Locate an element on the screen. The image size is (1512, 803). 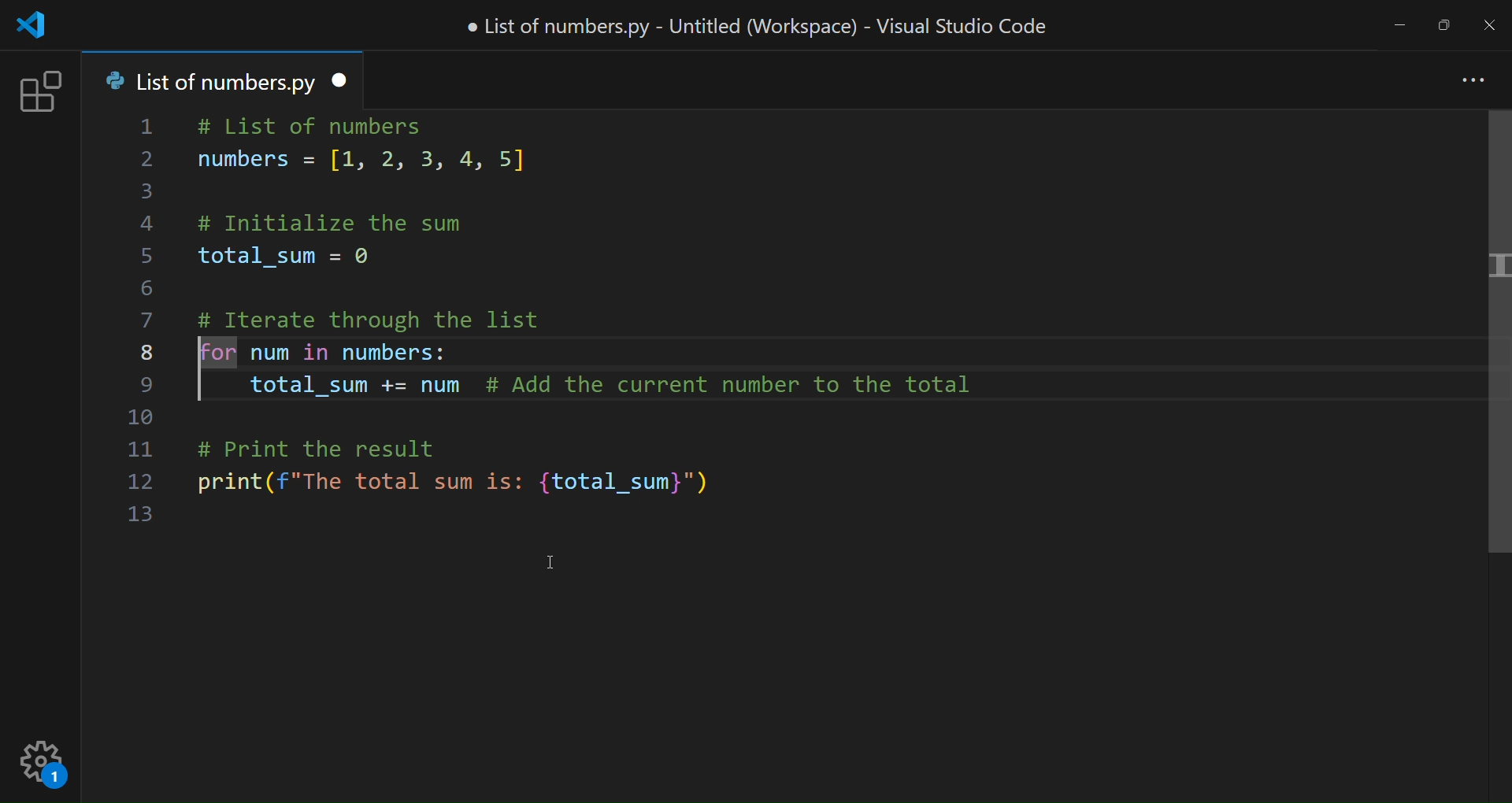
setting is located at coordinates (43, 768).